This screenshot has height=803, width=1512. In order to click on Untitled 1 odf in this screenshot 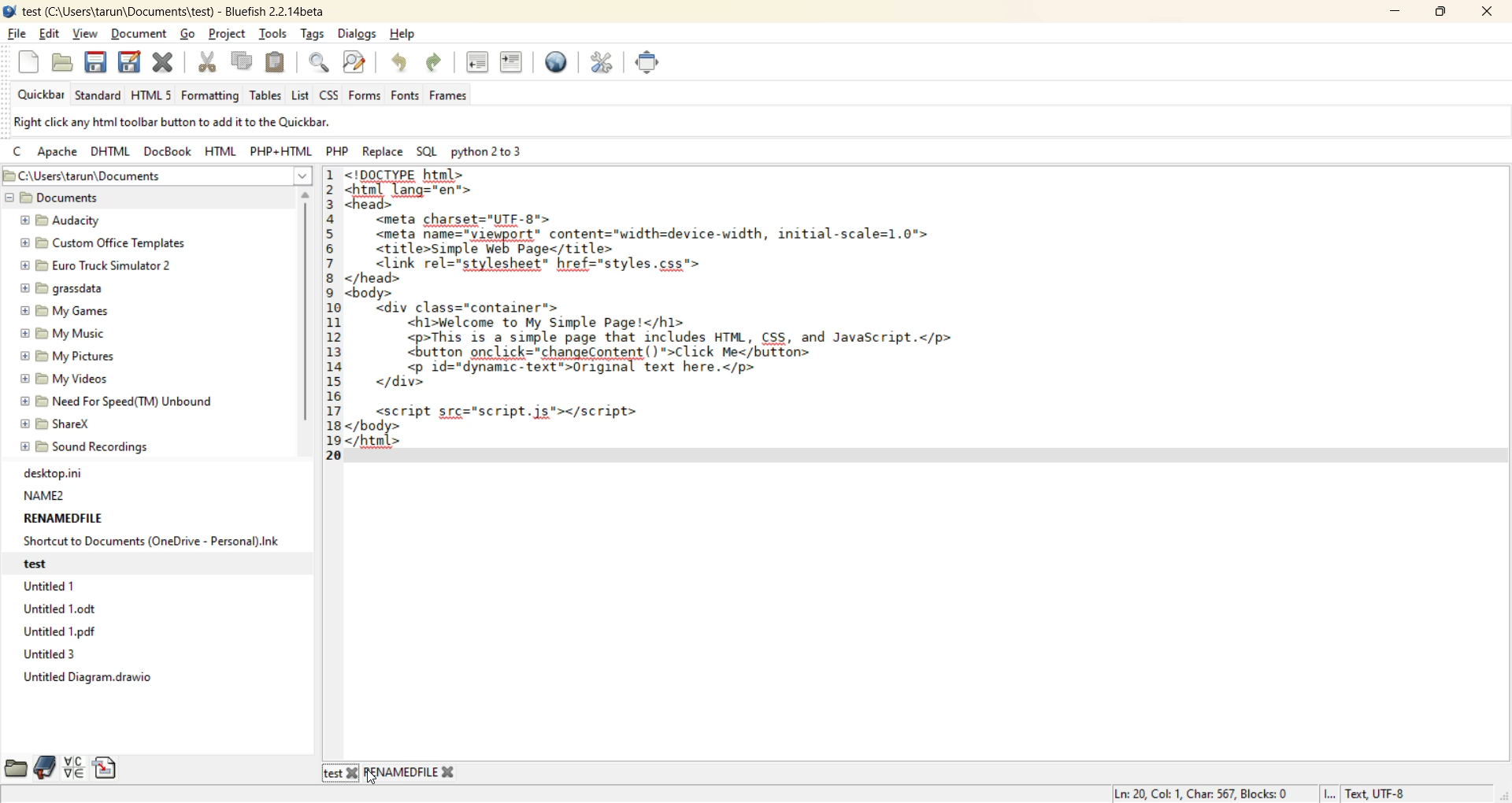, I will do `click(65, 628)`.